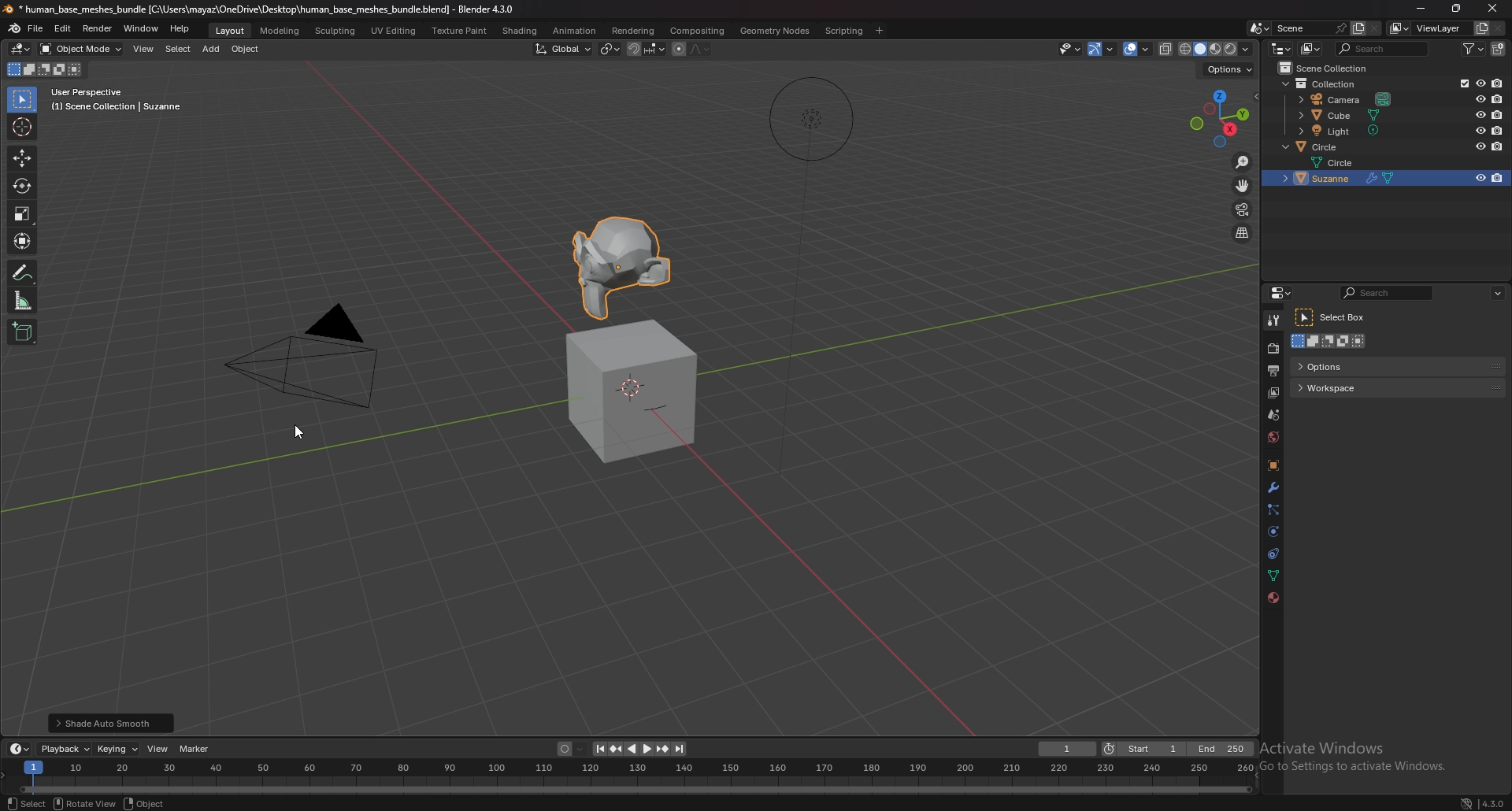  I want to click on selectibility and visibility, so click(1071, 48).